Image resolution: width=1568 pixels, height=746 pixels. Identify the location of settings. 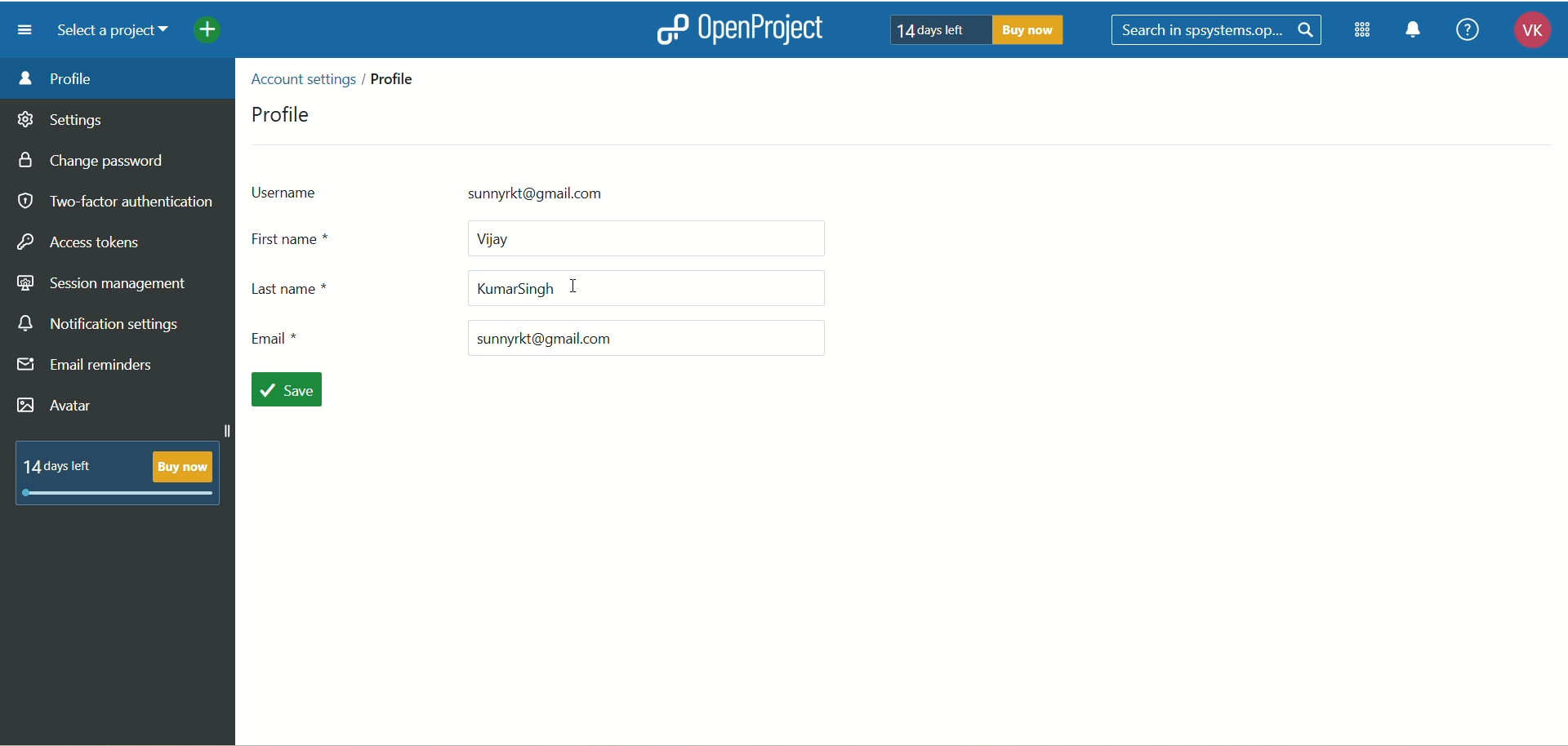
(61, 122).